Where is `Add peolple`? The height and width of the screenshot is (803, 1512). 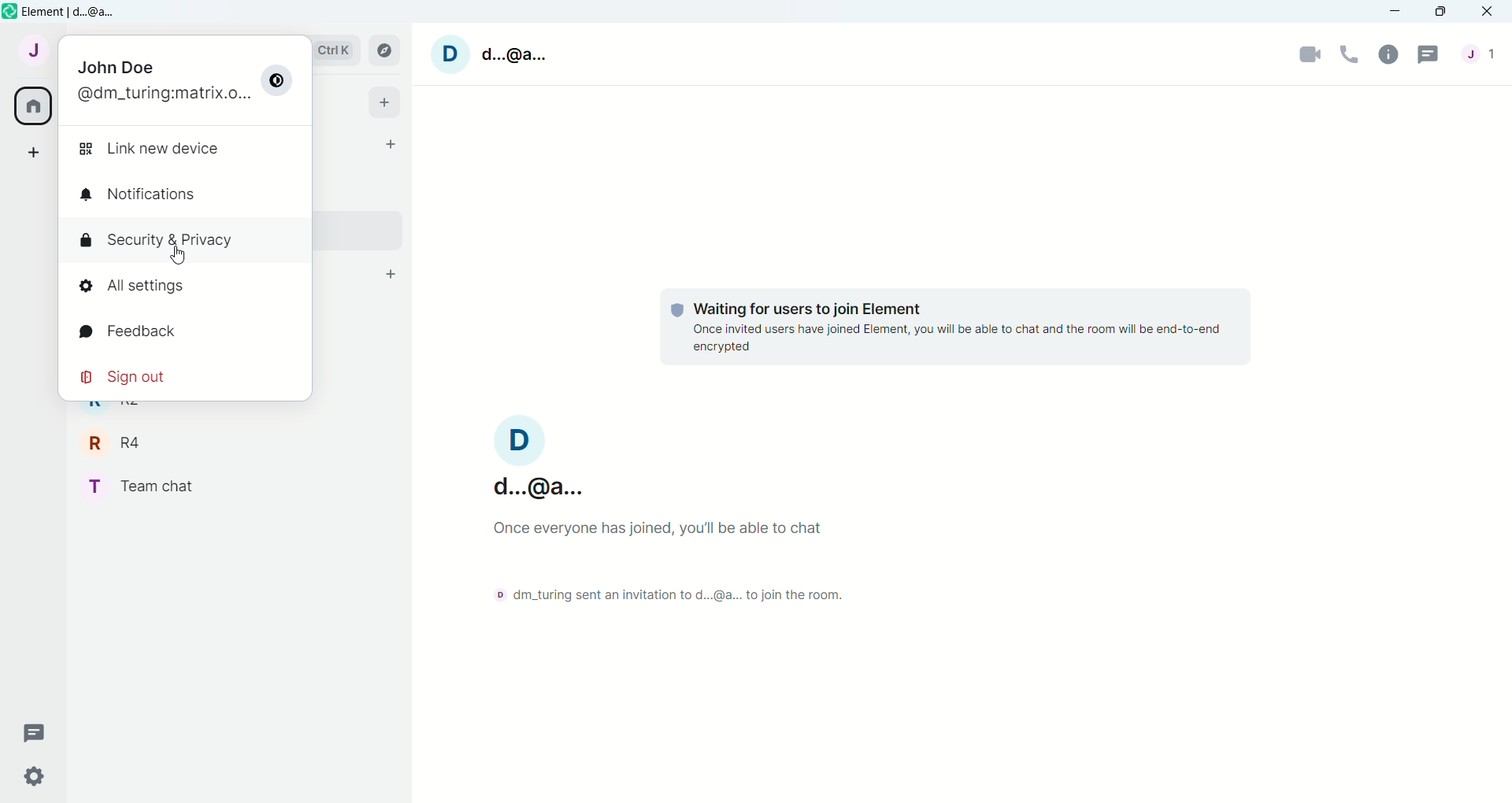
Add peolple is located at coordinates (391, 143).